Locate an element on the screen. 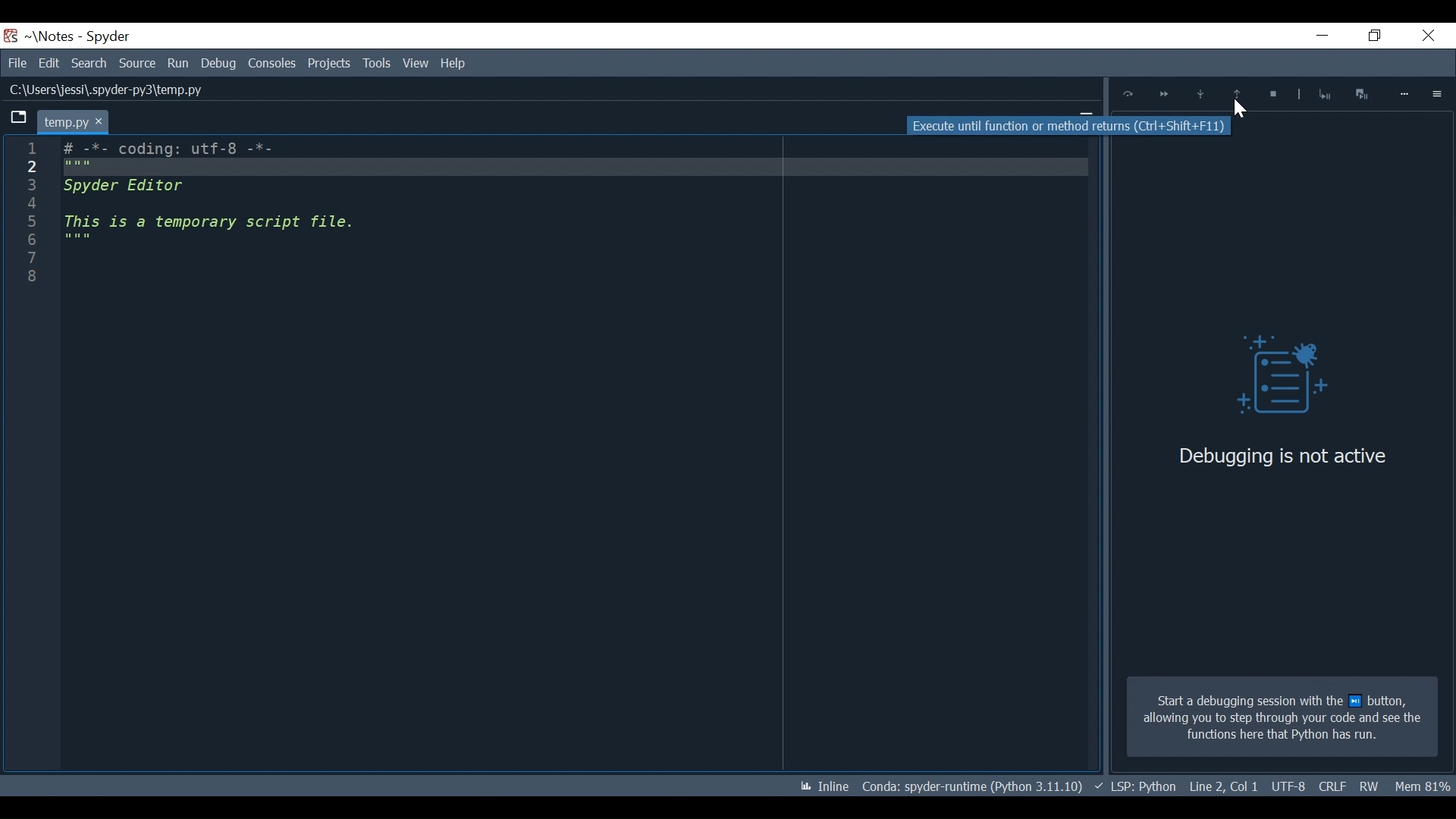  File Permission is located at coordinates (1370, 786).